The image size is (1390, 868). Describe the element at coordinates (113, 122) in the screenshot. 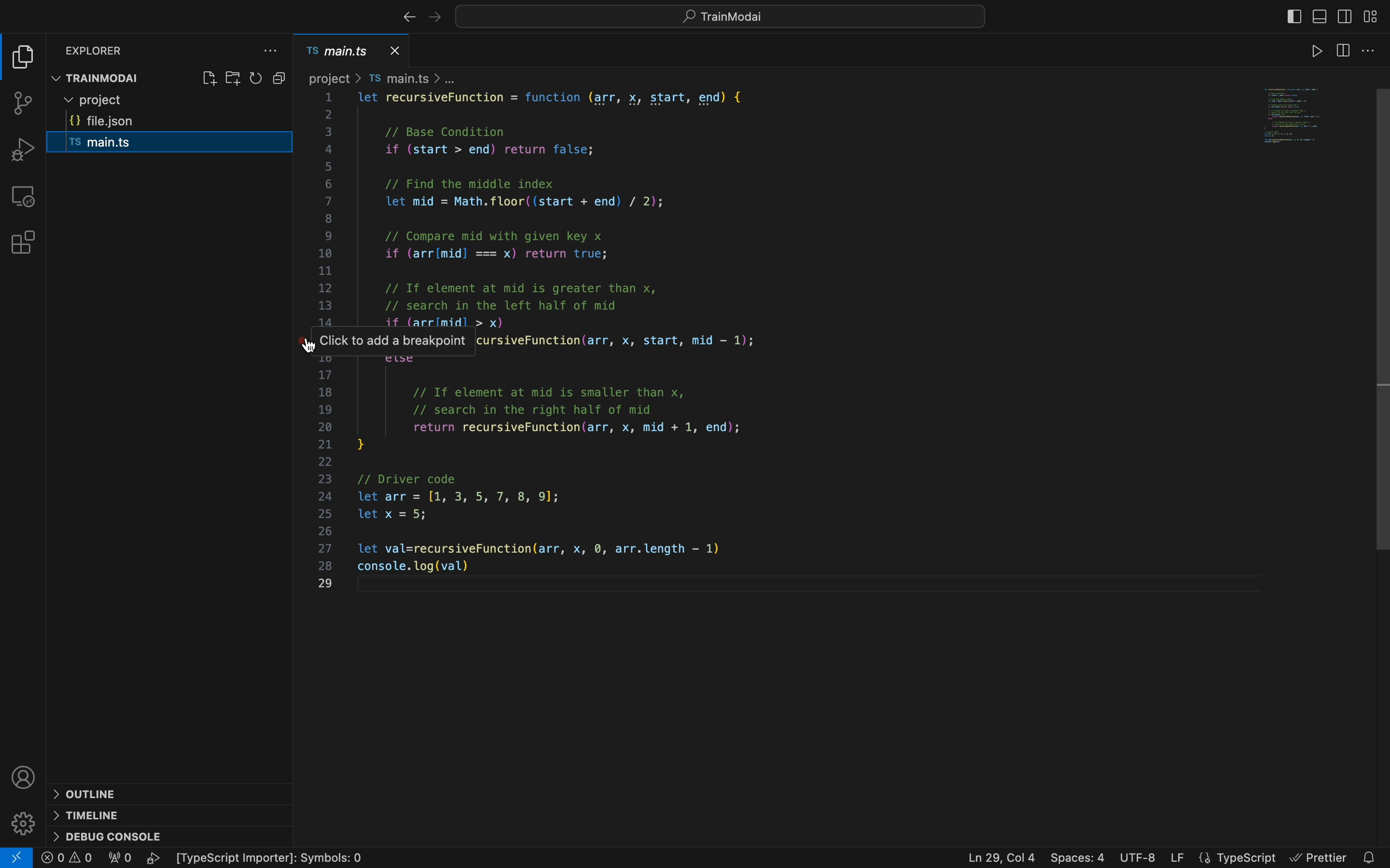

I see `filejson` at that location.